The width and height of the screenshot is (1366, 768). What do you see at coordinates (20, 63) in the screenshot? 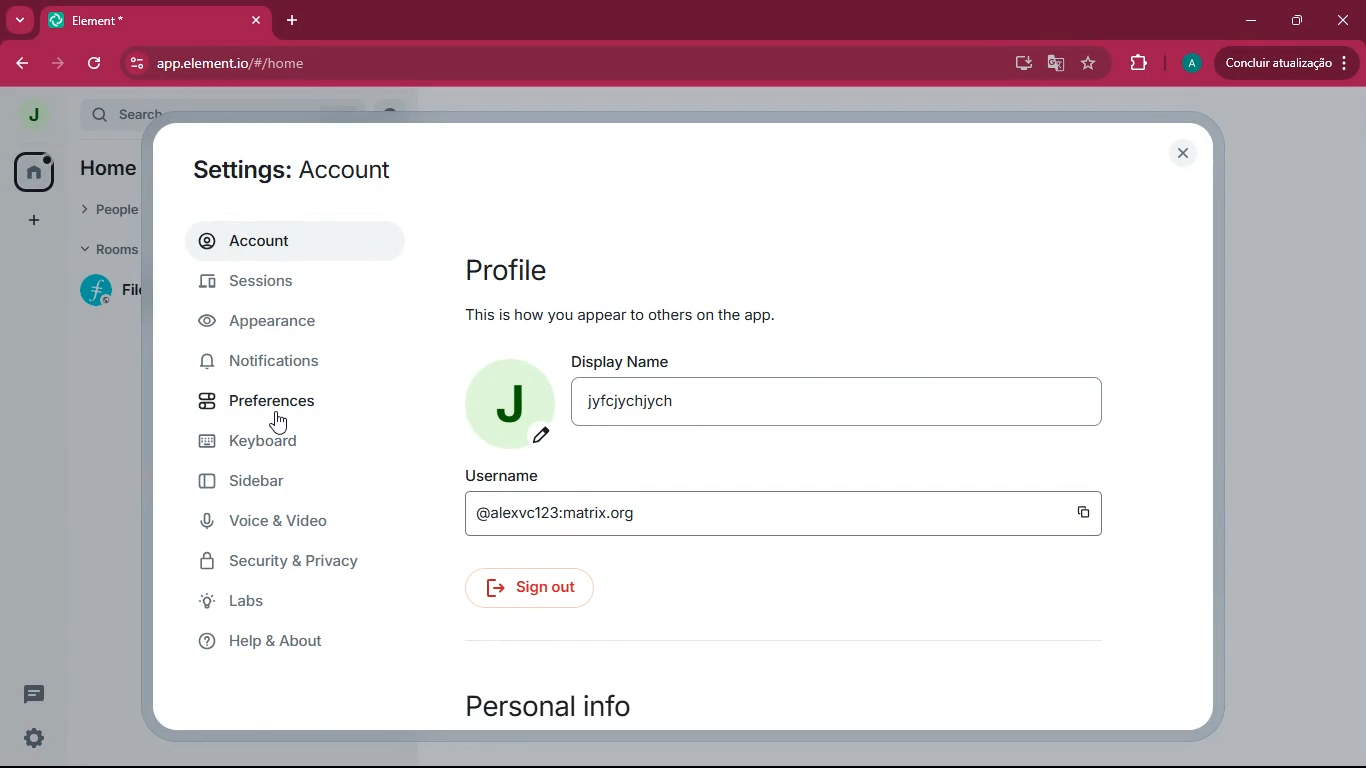
I see `back` at bounding box center [20, 63].